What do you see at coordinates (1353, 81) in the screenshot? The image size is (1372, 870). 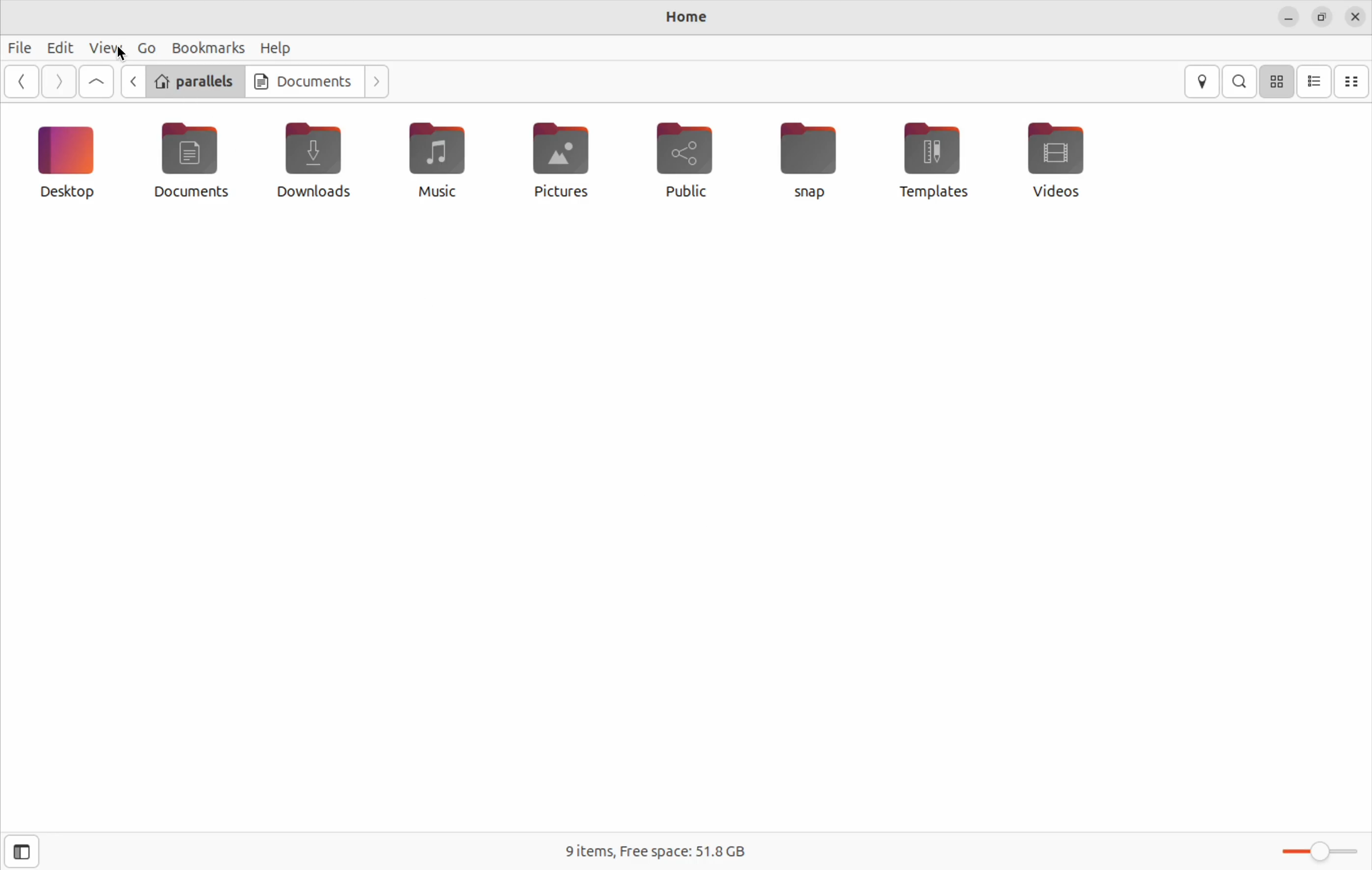 I see `compact view` at bounding box center [1353, 81].